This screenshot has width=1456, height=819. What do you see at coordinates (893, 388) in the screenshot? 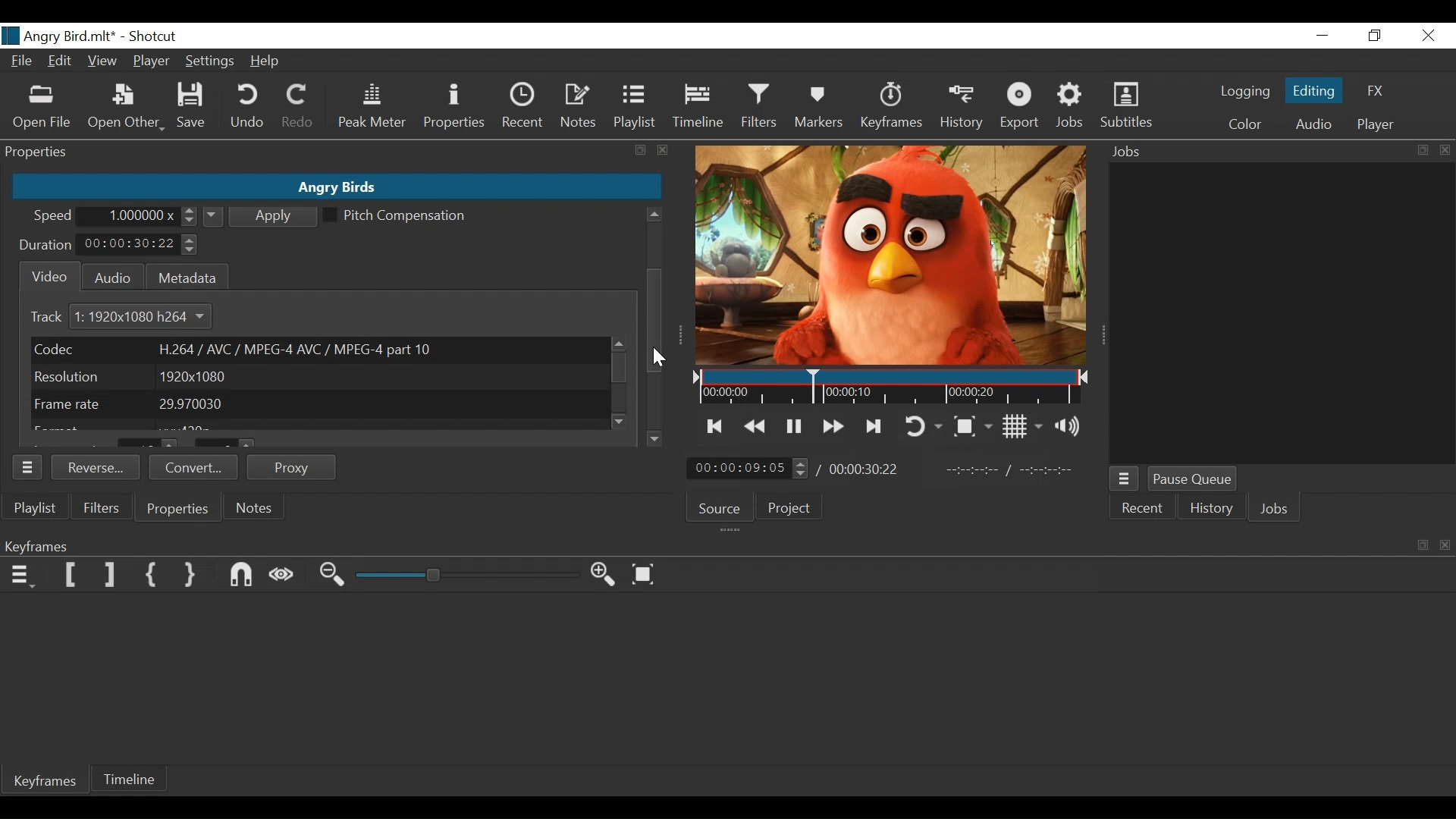
I see `Timeline` at bounding box center [893, 388].